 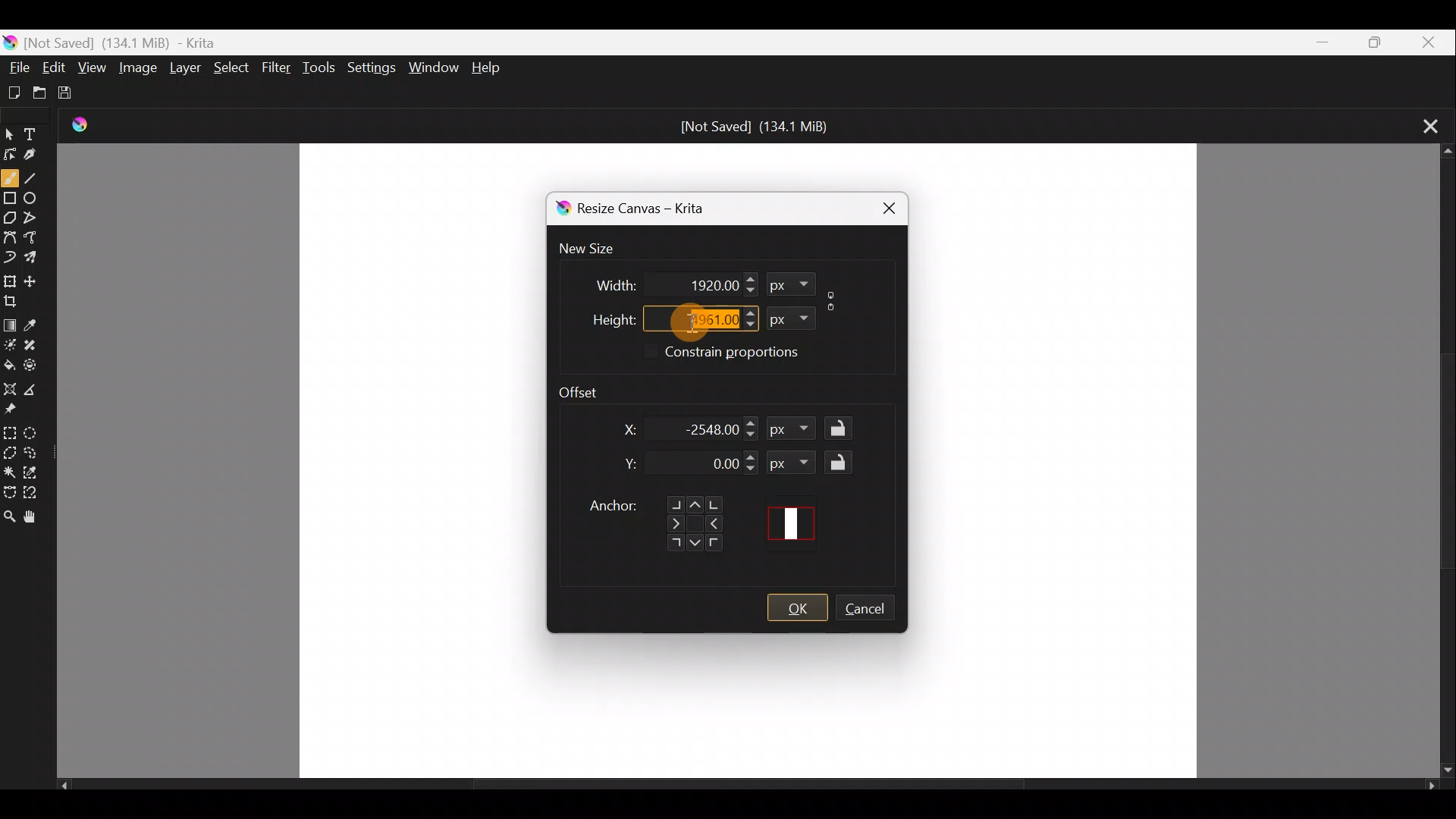 What do you see at coordinates (35, 196) in the screenshot?
I see `Ellipse tool` at bounding box center [35, 196].